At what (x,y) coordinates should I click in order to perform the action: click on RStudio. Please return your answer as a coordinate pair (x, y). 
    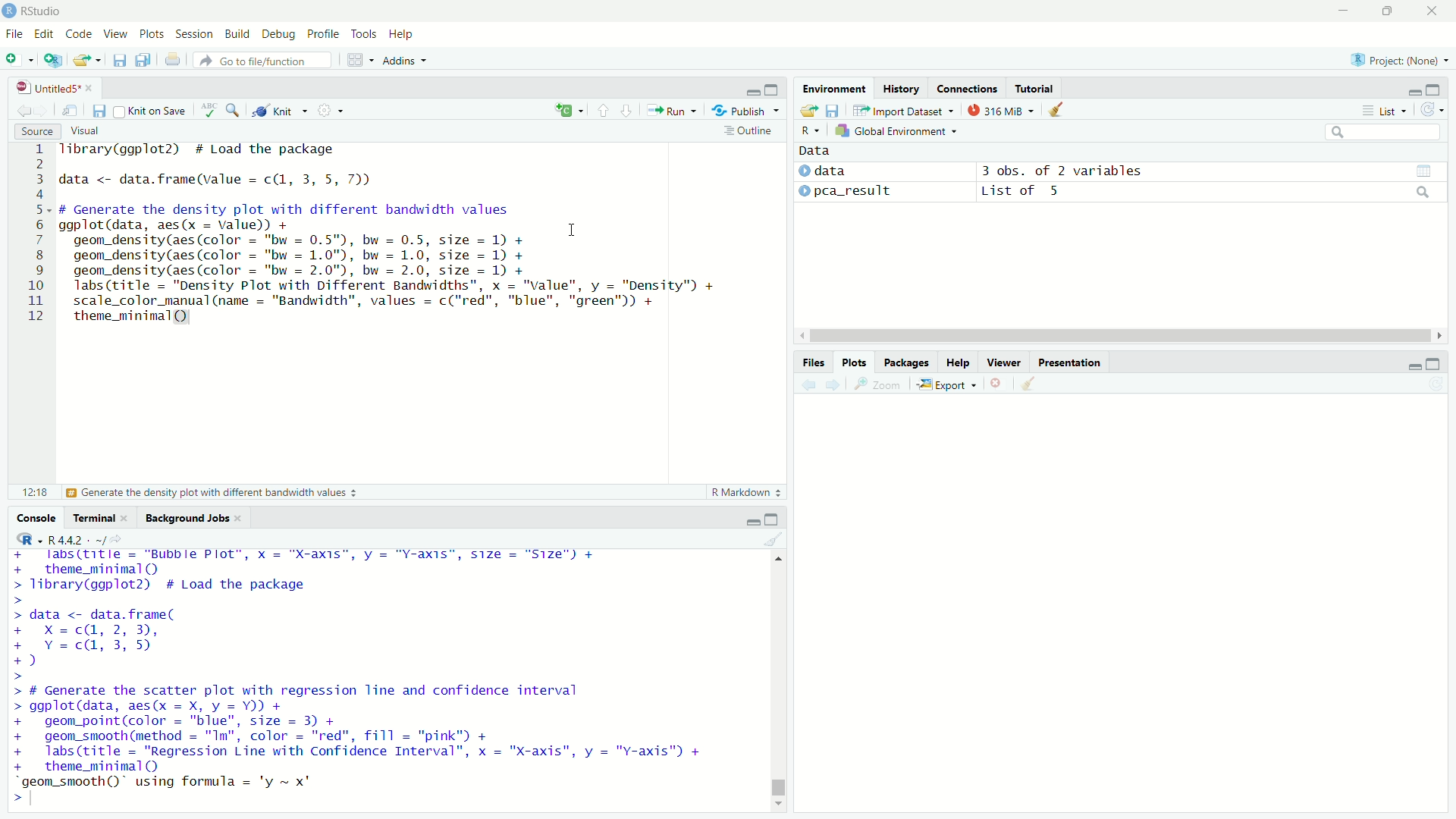
    Looking at the image, I should click on (32, 11).